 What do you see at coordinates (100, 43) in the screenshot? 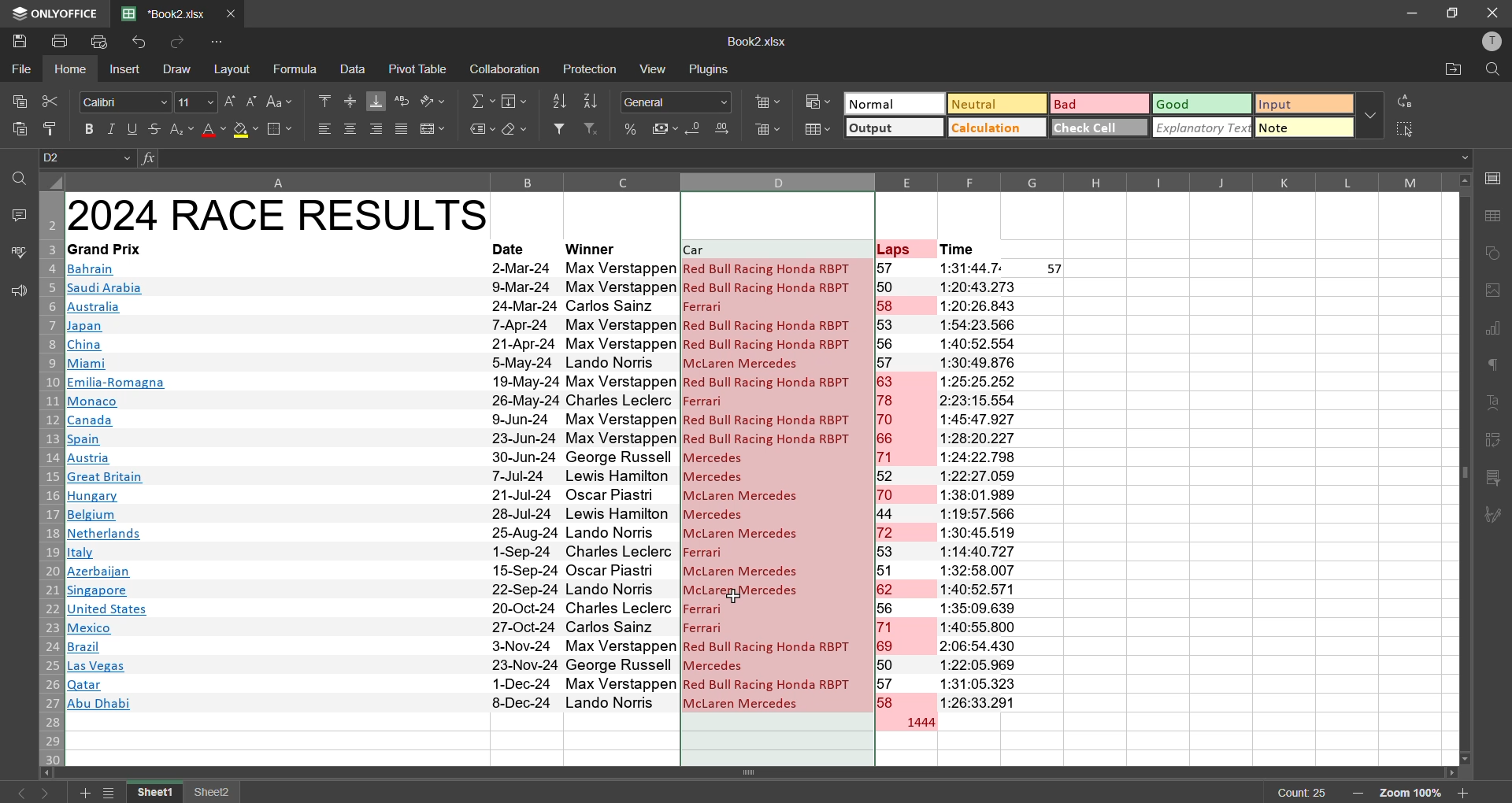
I see `quick print` at bounding box center [100, 43].